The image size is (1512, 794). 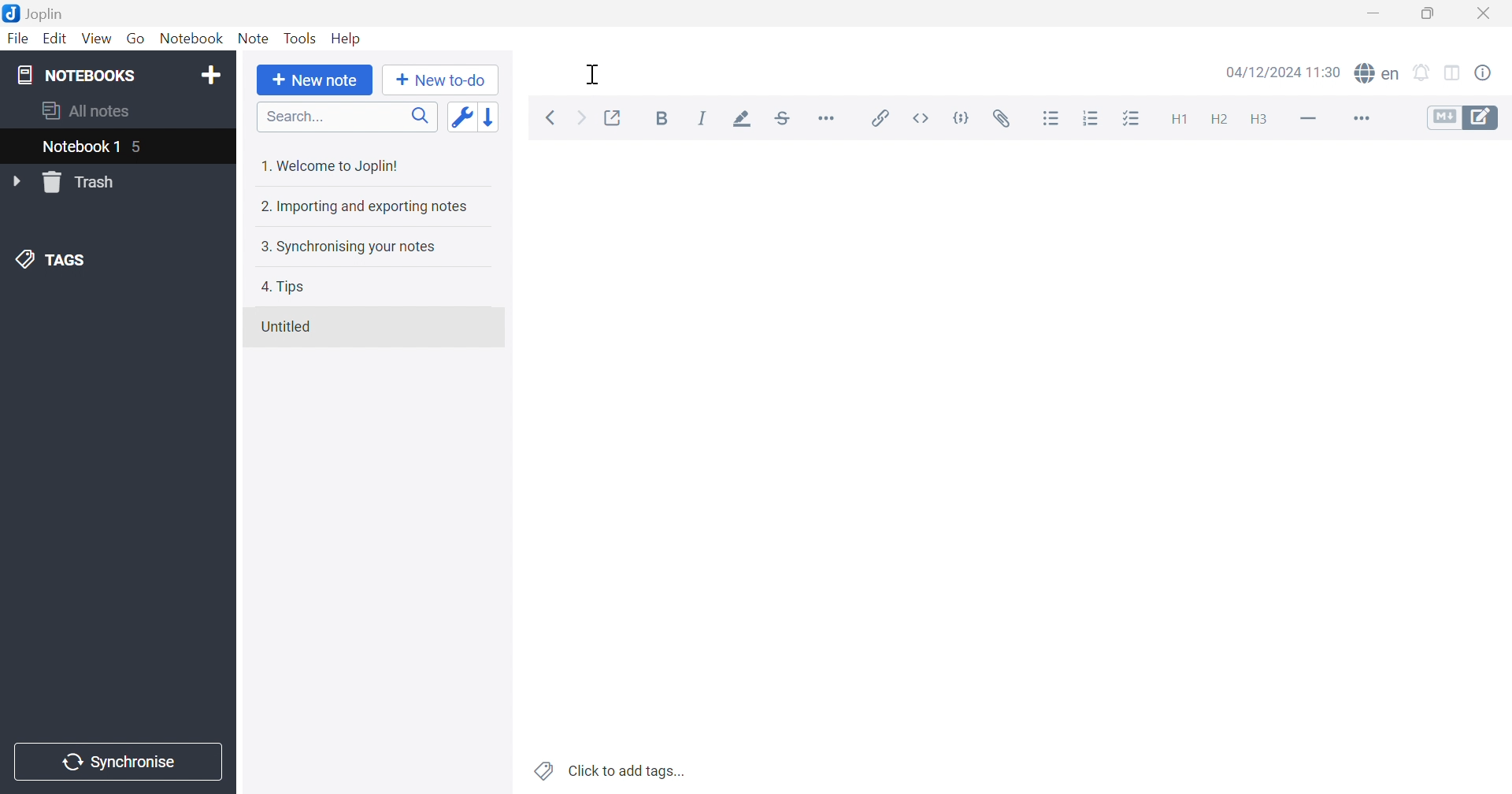 I want to click on TAGS, so click(x=46, y=258).